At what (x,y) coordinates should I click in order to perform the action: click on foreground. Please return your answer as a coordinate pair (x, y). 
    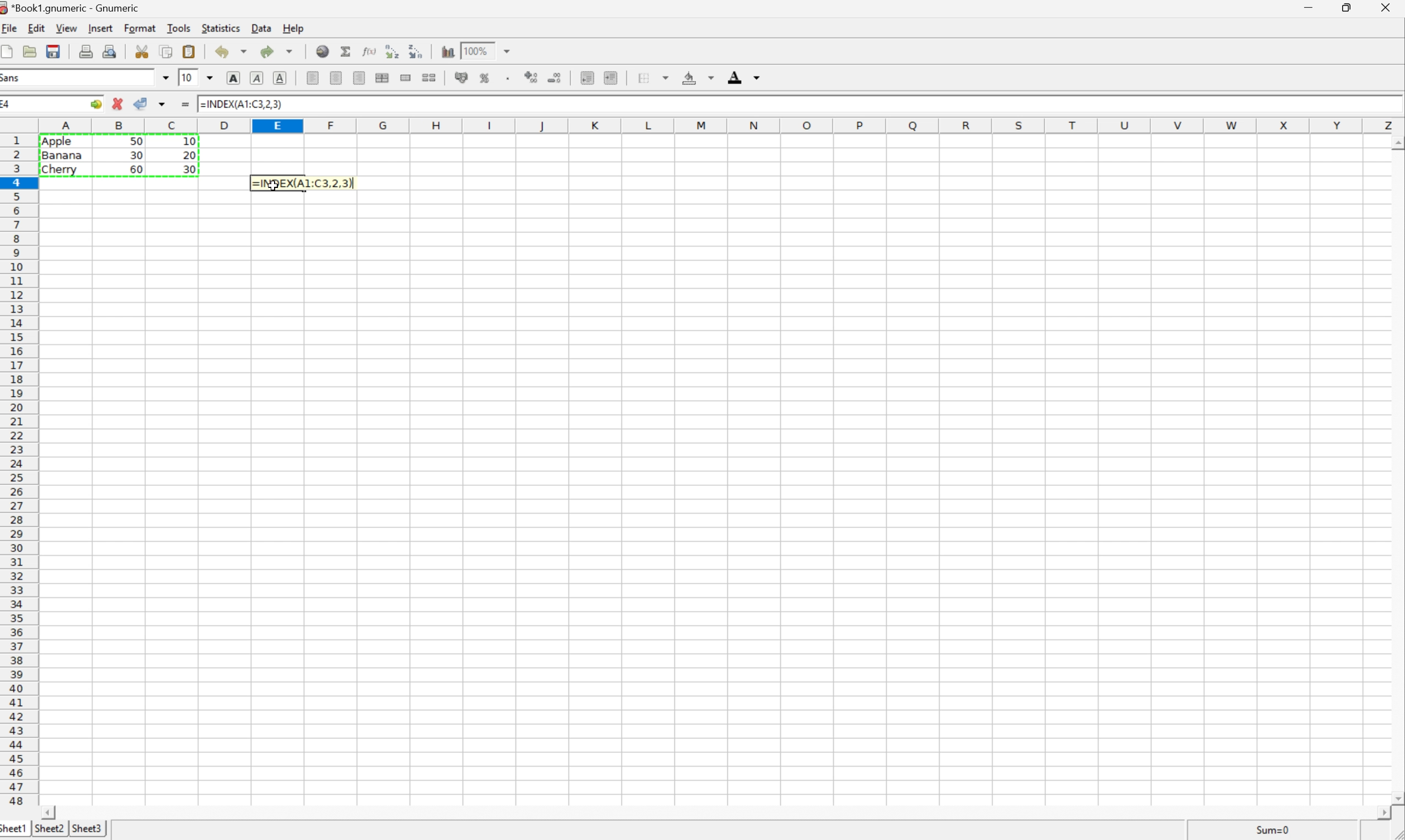
    Looking at the image, I should click on (746, 76).